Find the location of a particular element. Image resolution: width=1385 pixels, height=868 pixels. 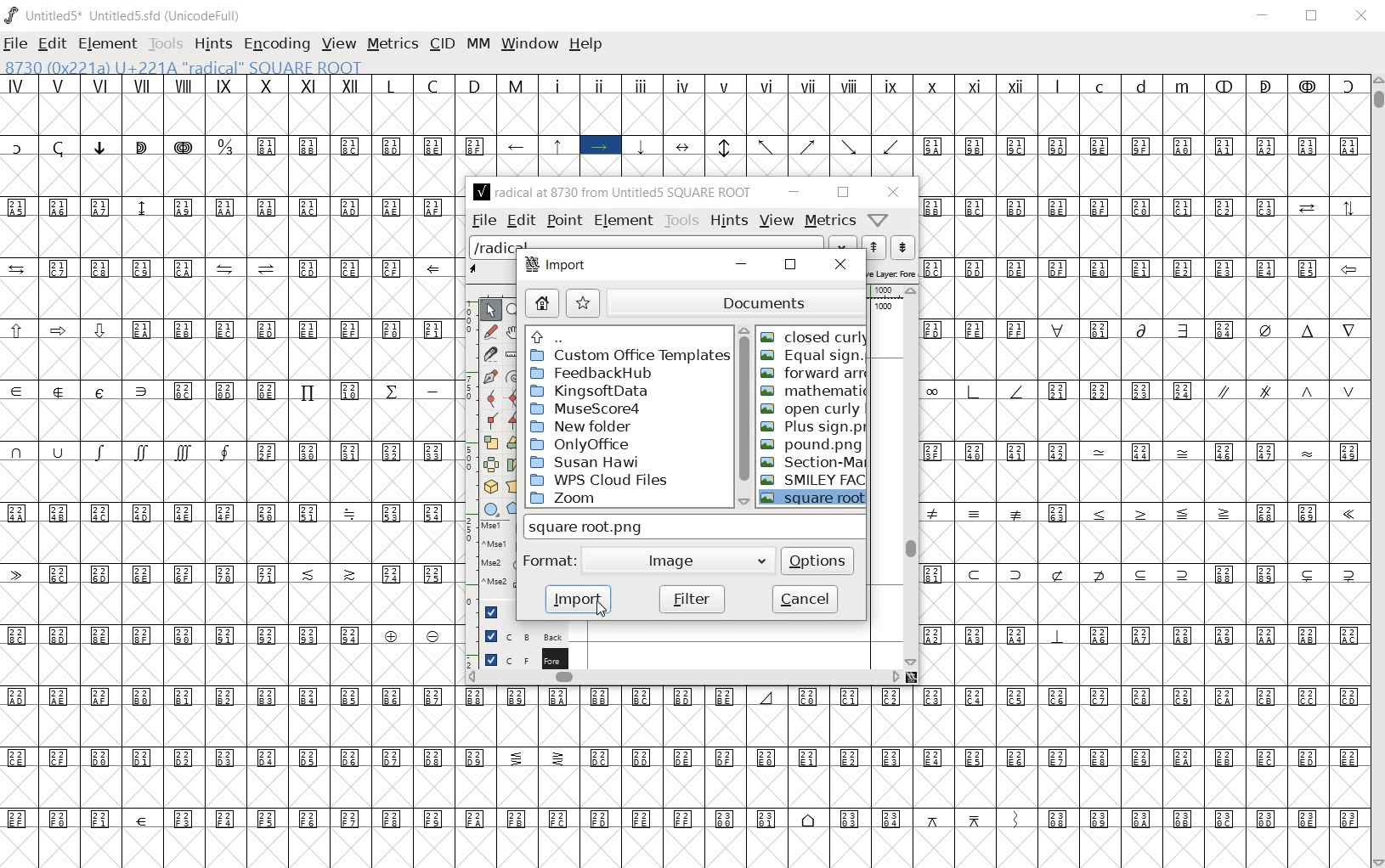

star is located at coordinates (584, 302).